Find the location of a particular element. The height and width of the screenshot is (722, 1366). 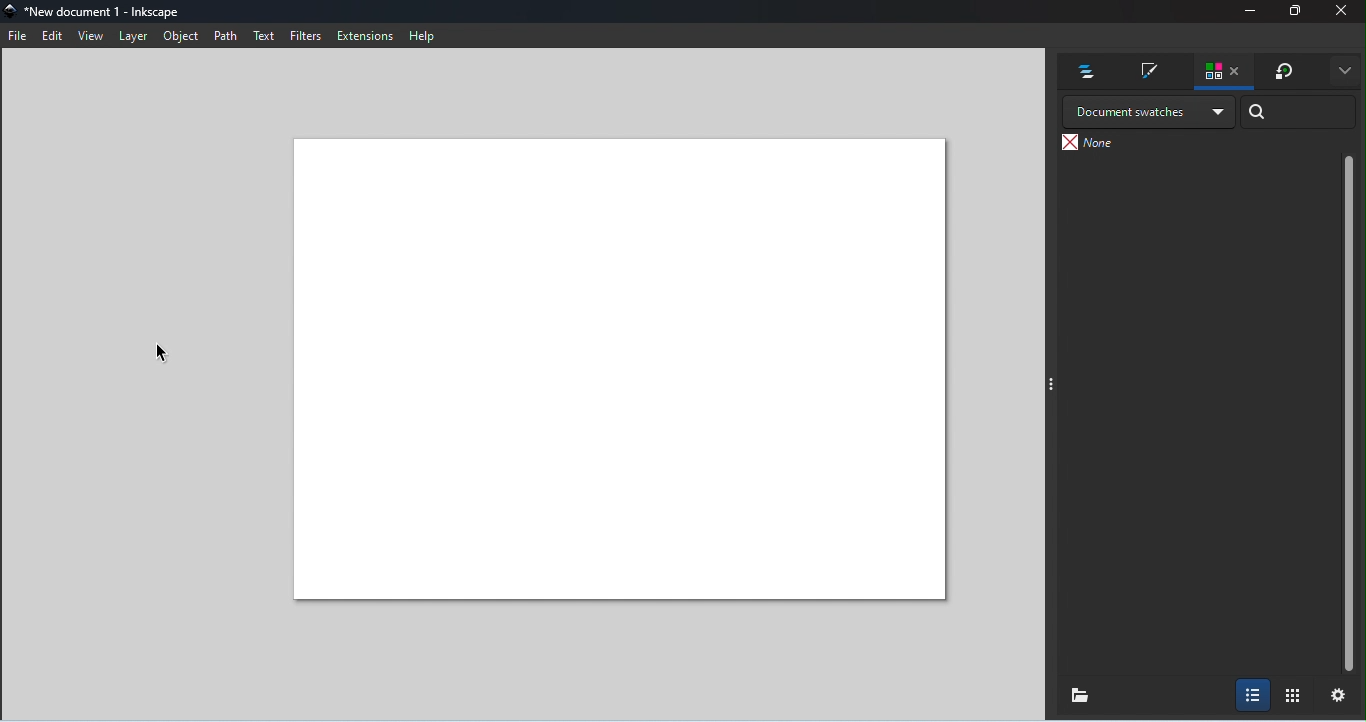

File is located at coordinates (19, 37).